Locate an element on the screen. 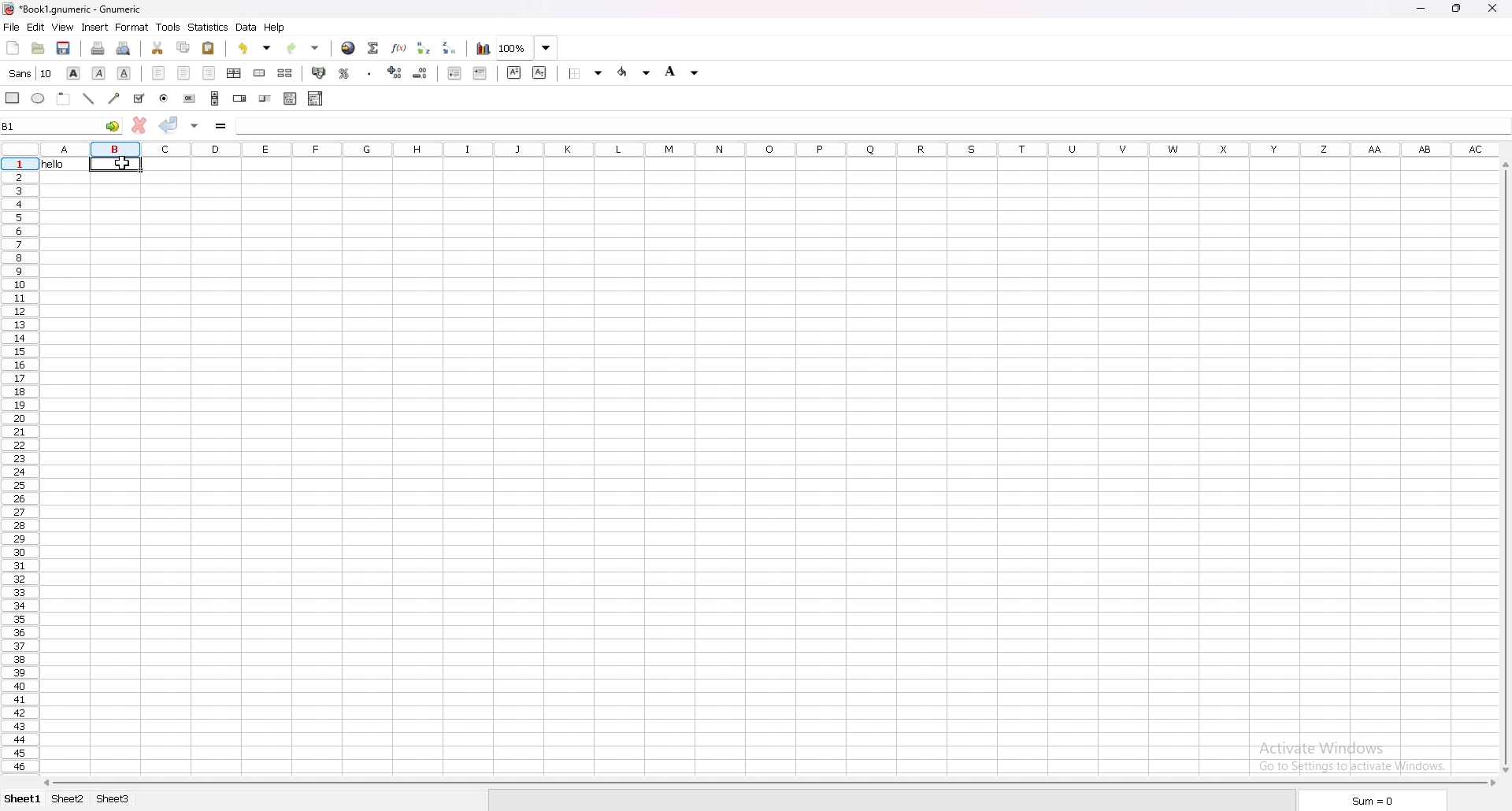 The height and width of the screenshot is (811, 1512). zoom is located at coordinates (526, 49).